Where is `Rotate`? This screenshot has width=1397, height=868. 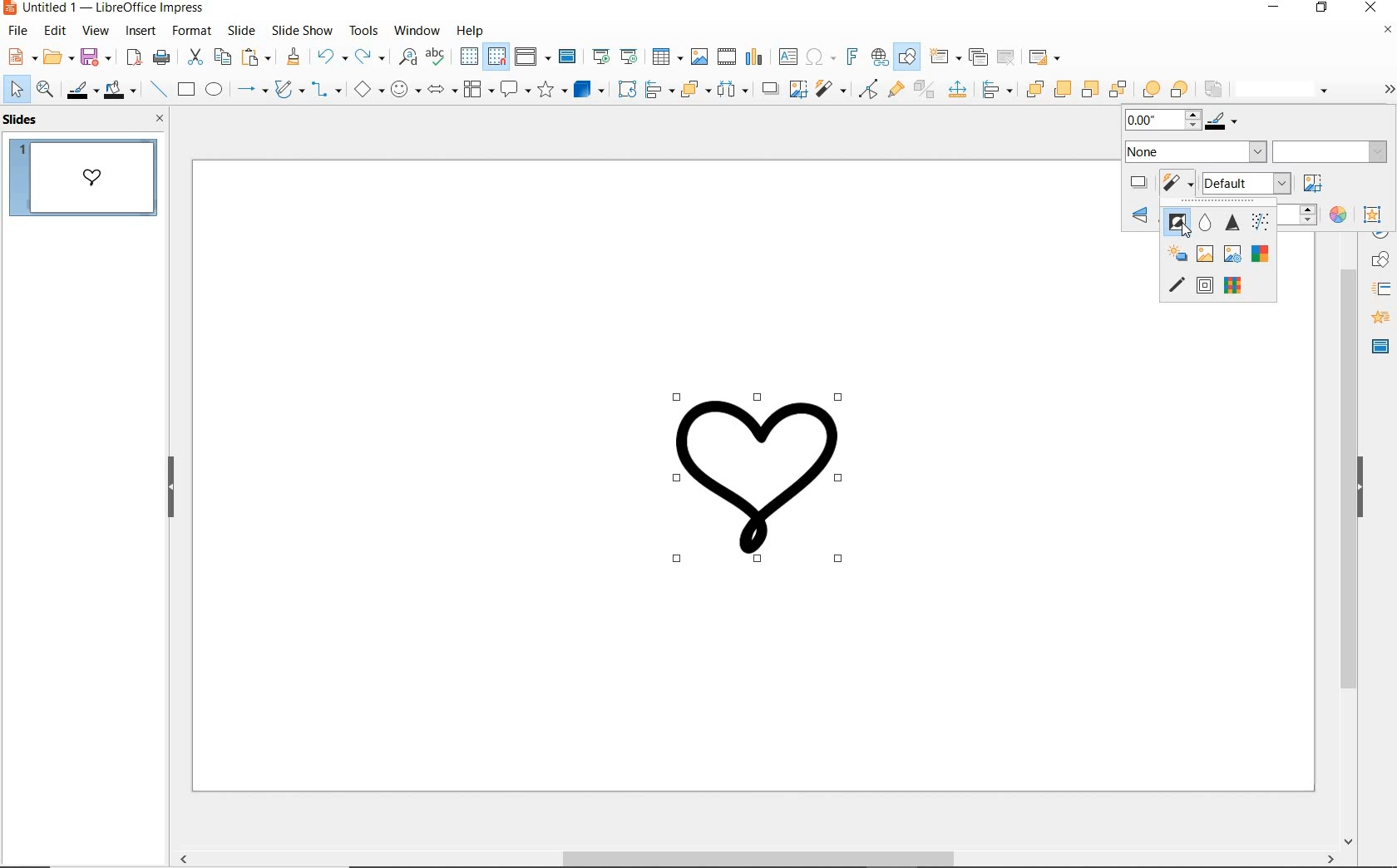 Rotate is located at coordinates (1140, 215).